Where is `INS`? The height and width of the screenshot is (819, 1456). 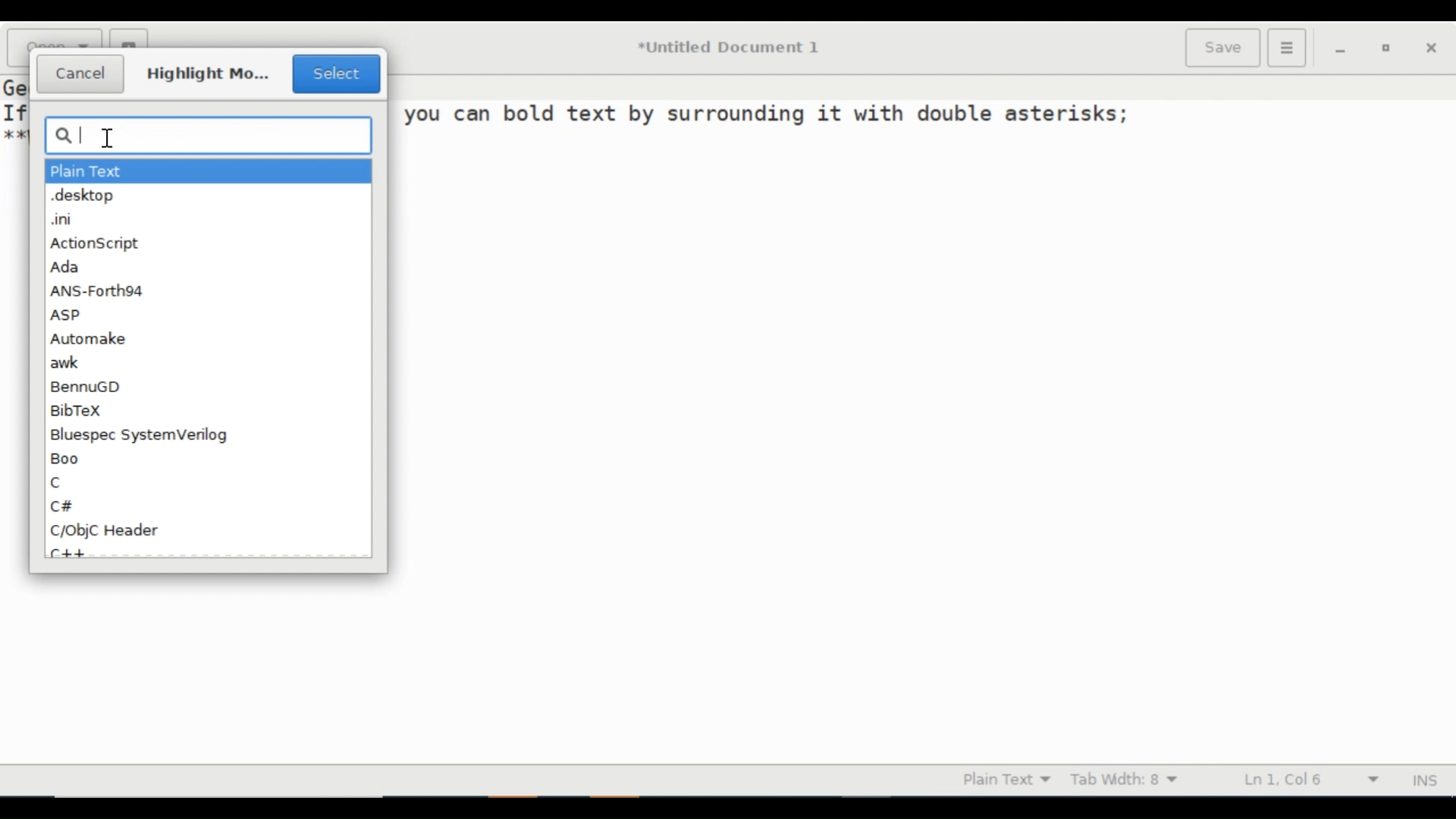
INS is located at coordinates (1428, 780).